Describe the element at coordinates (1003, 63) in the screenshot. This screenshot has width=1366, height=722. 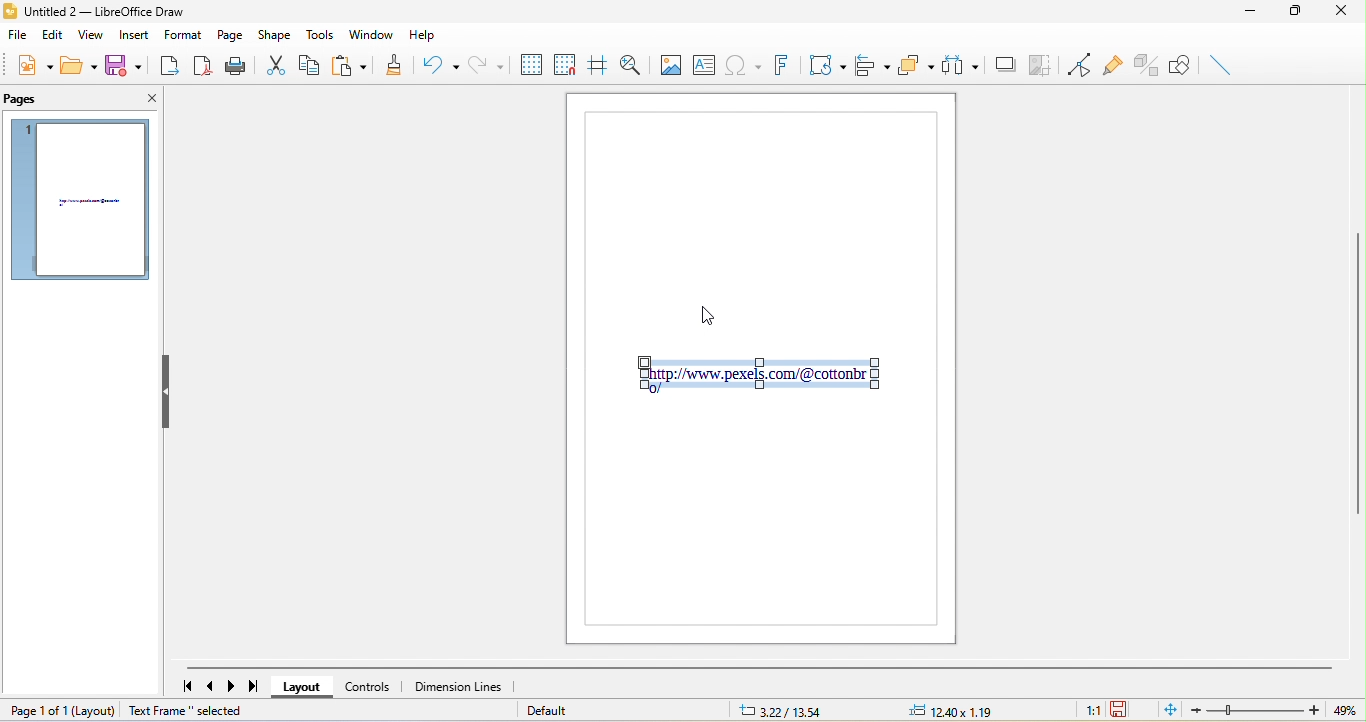
I see `shadow` at that location.